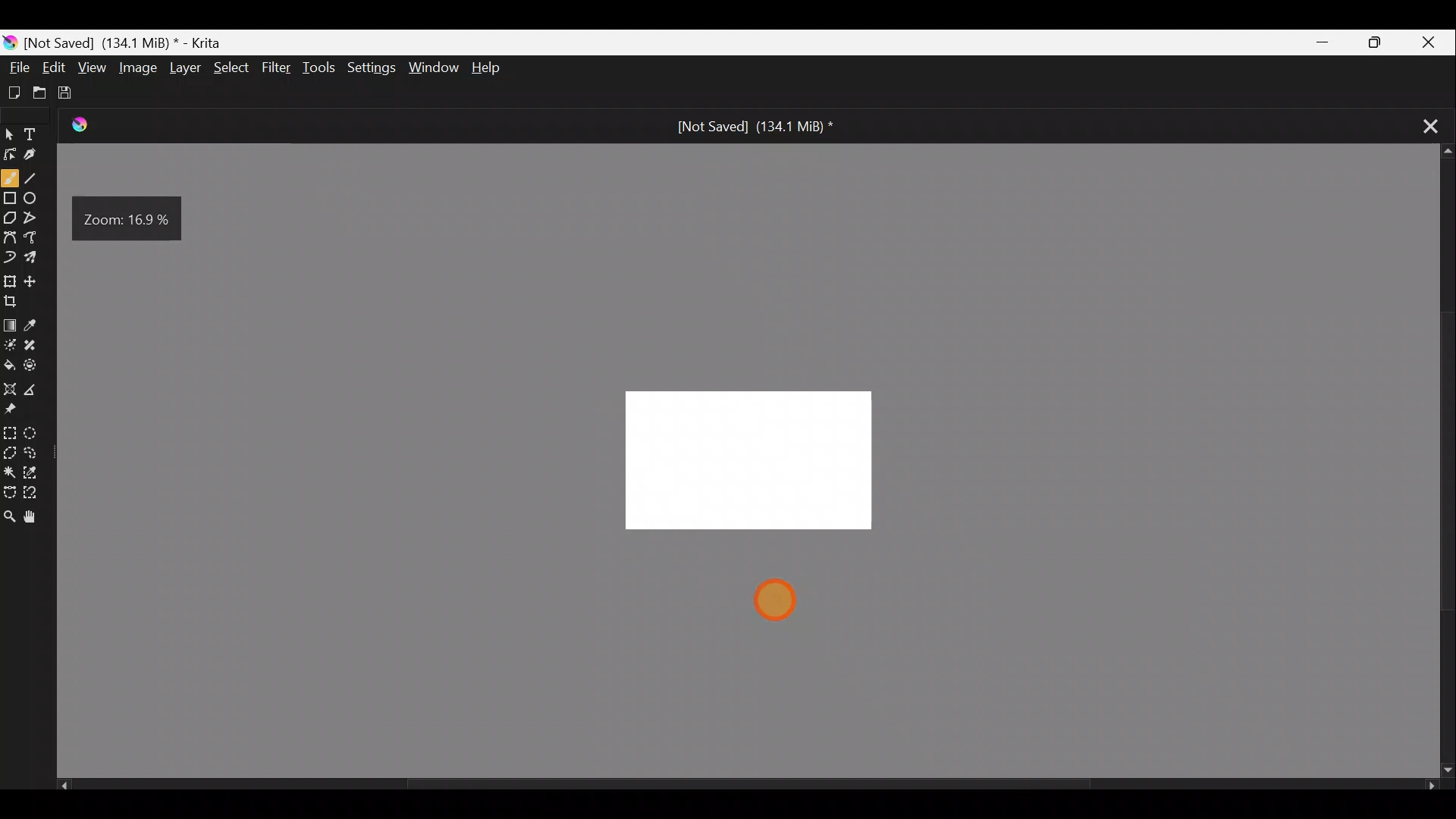 This screenshot has width=1456, height=819. What do you see at coordinates (9, 363) in the screenshot?
I see `Fill a contiguous area of colour with colour/fill a selection` at bounding box center [9, 363].